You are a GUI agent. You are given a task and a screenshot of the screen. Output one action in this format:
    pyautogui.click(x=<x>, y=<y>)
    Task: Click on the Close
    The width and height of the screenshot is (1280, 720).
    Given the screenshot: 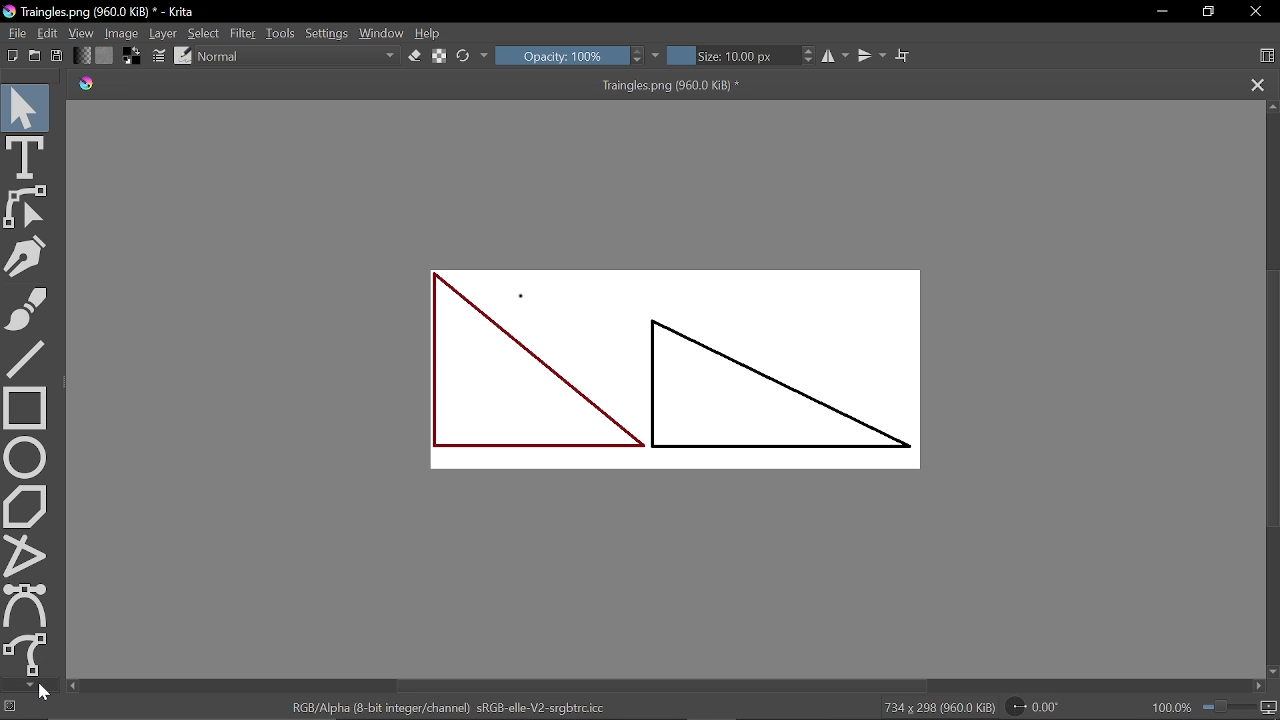 What is the action you would take?
    pyautogui.click(x=1255, y=14)
    